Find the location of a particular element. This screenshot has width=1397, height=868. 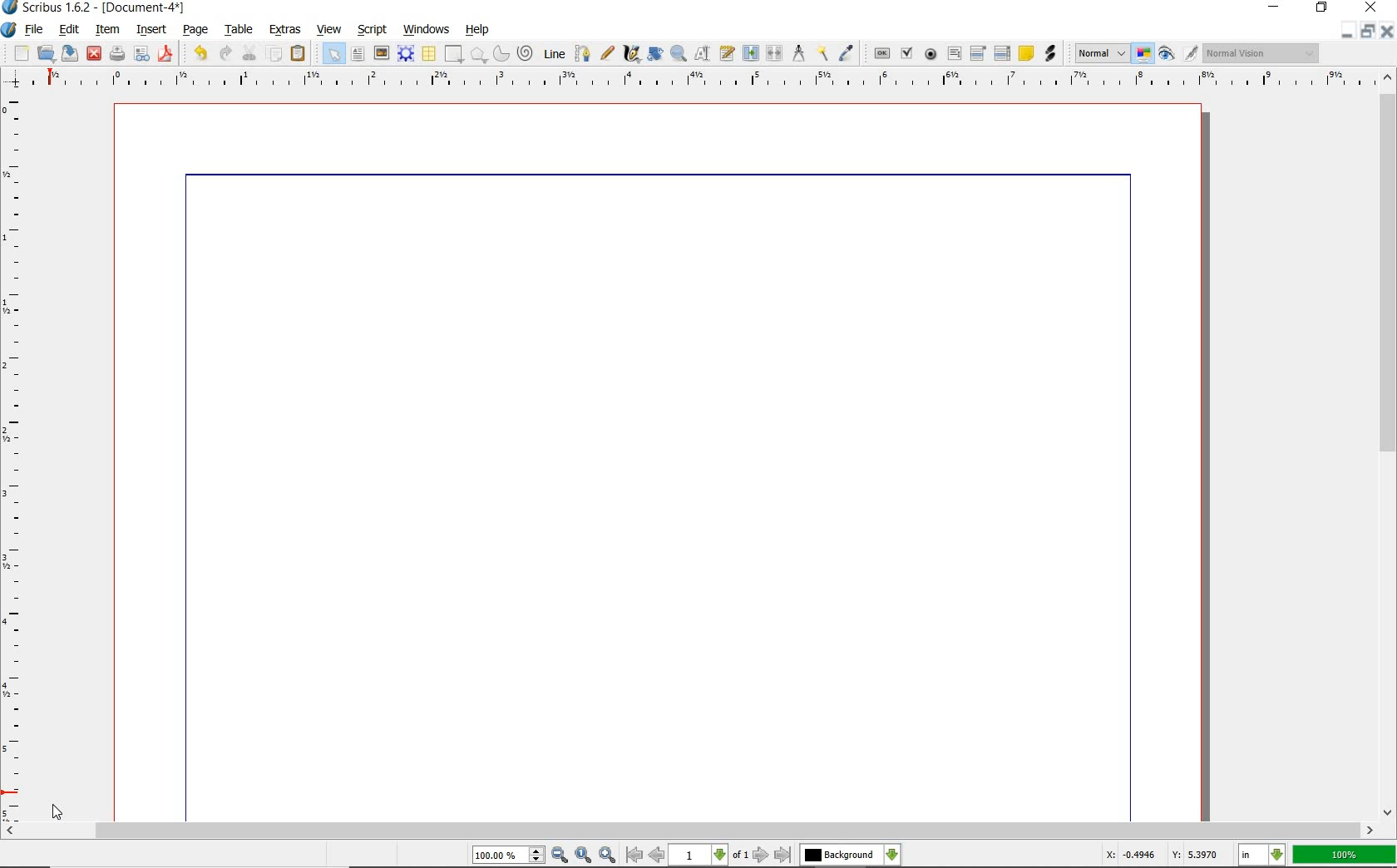

edit text with story editor is located at coordinates (728, 55).